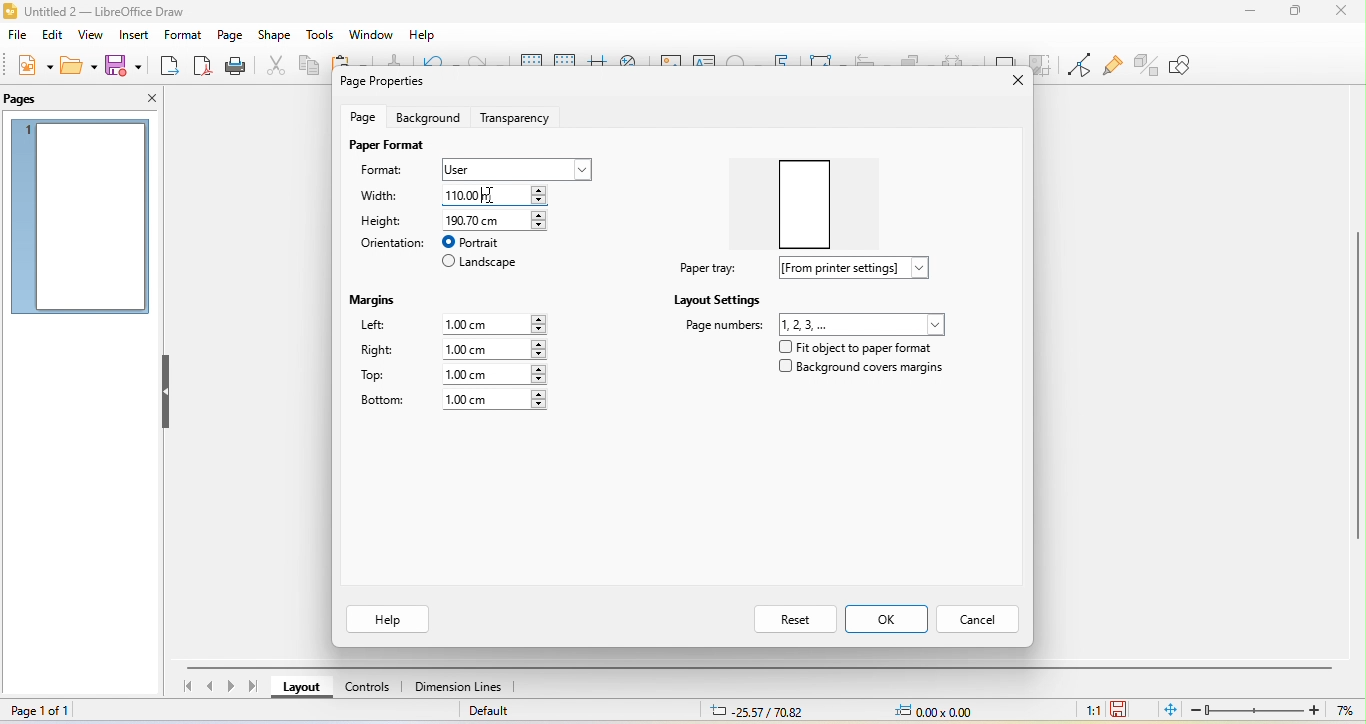 This screenshot has width=1366, height=724. I want to click on control, so click(368, 690).